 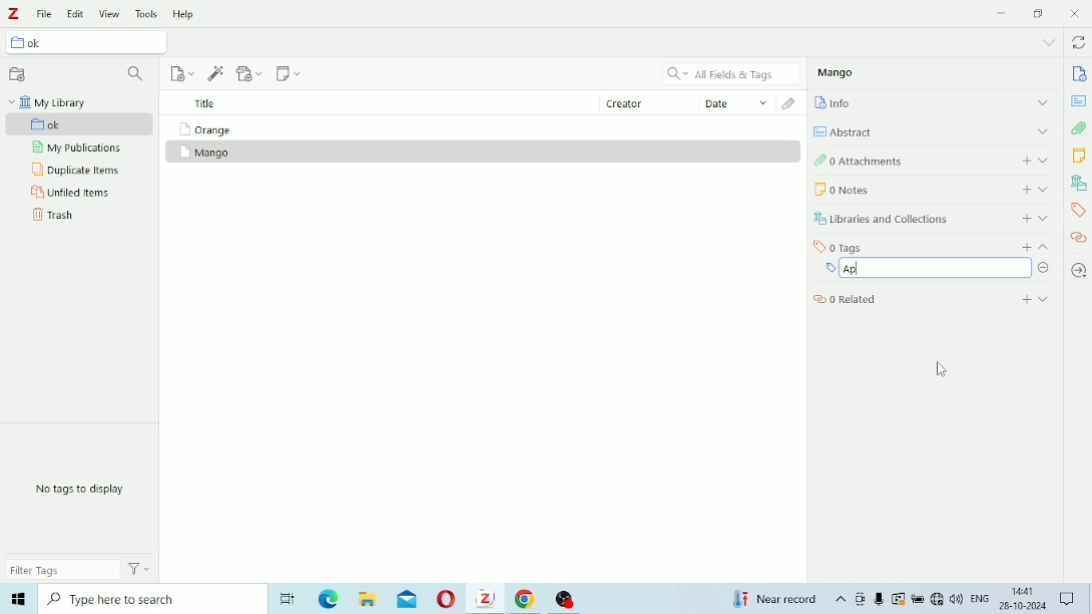 What do you see at coordinates (75, 170) in the screenshot?
I see `Duplicate Items` at bounding box center [75, 170].